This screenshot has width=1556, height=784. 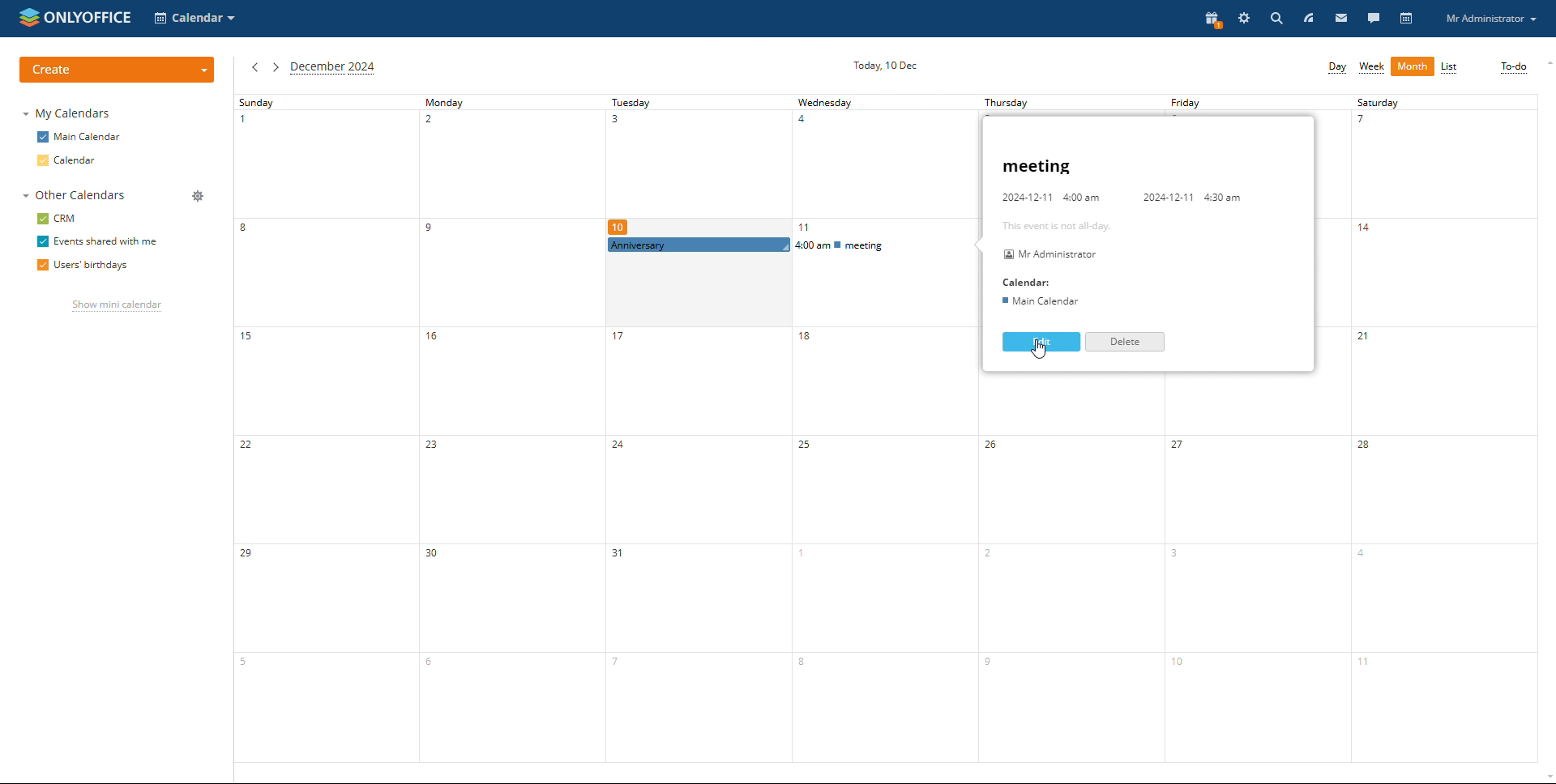 What do you see at coordinates (1221, 197) in the screenshot?
I see `4:30 am` at bounding box center [1221, 197].